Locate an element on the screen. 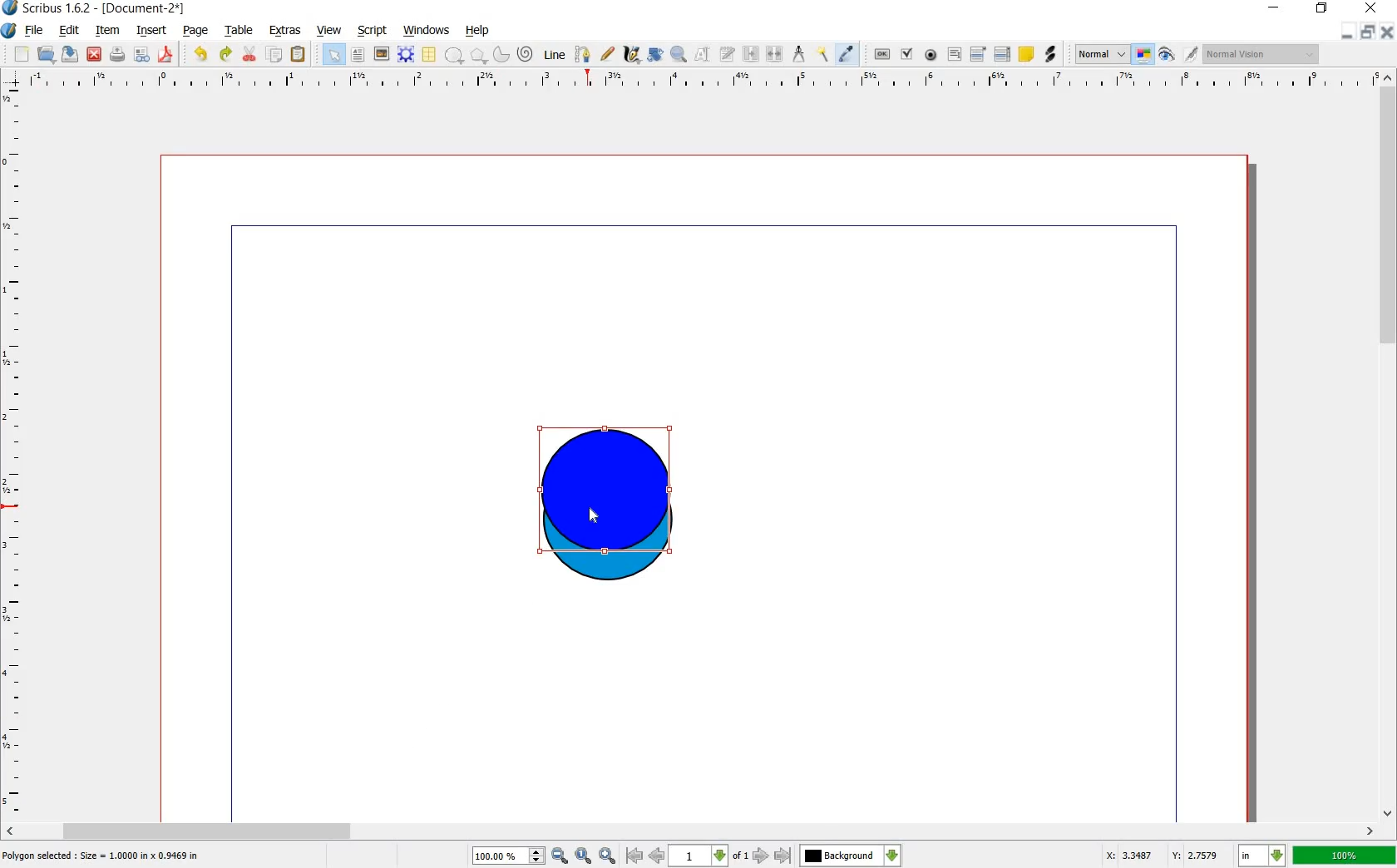 This screenshot has height=868, width=1397. open is located at coordinates (45, 54).